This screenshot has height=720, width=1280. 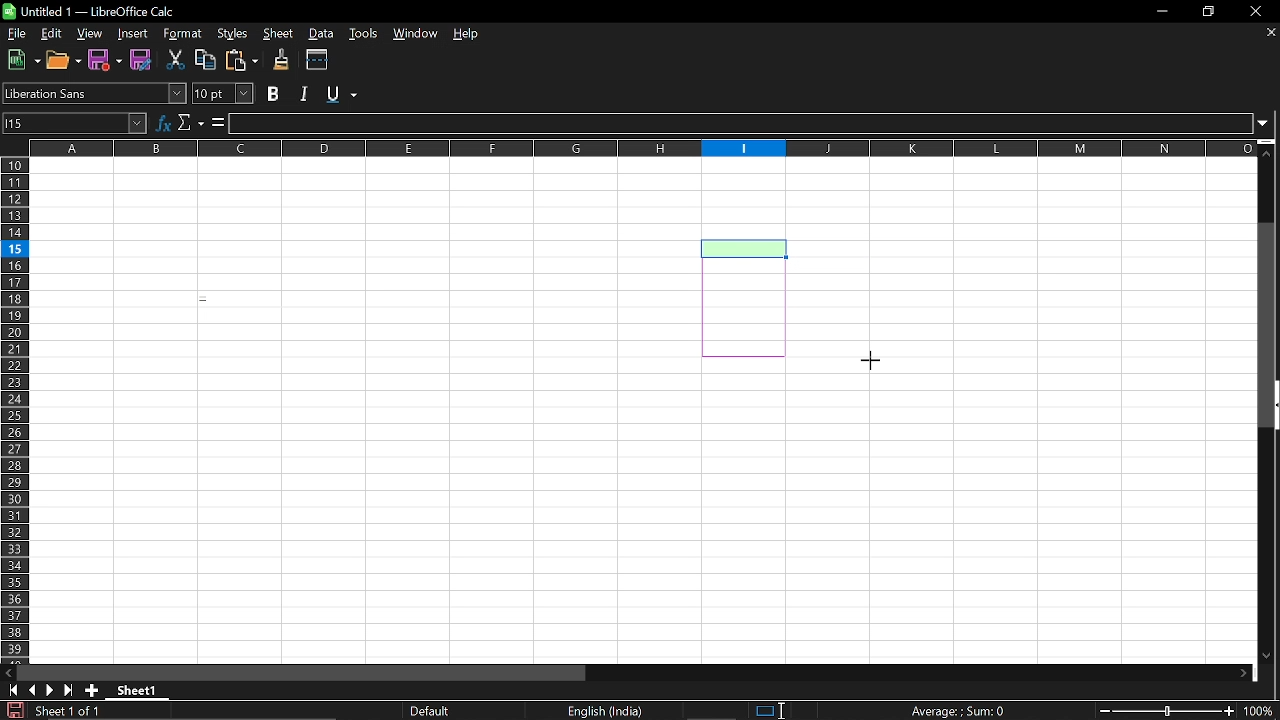 What do you see at coordinates (274, 93) in the screenshot?
I see `Bold` at bounding box center [274, 93].